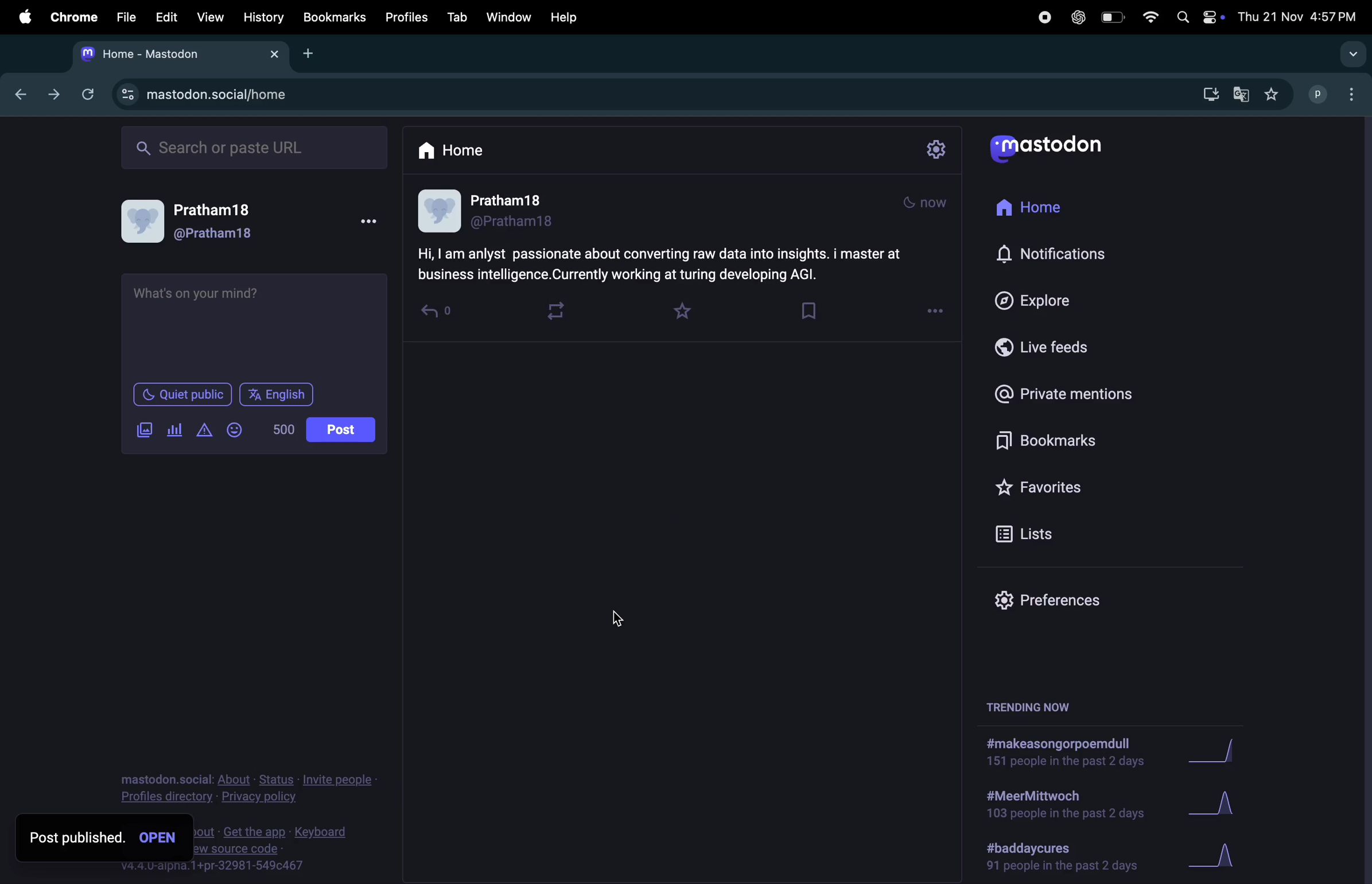 The height and width of the screenshot is (884, 1372). I want to click on foot note, so click(280, 849).